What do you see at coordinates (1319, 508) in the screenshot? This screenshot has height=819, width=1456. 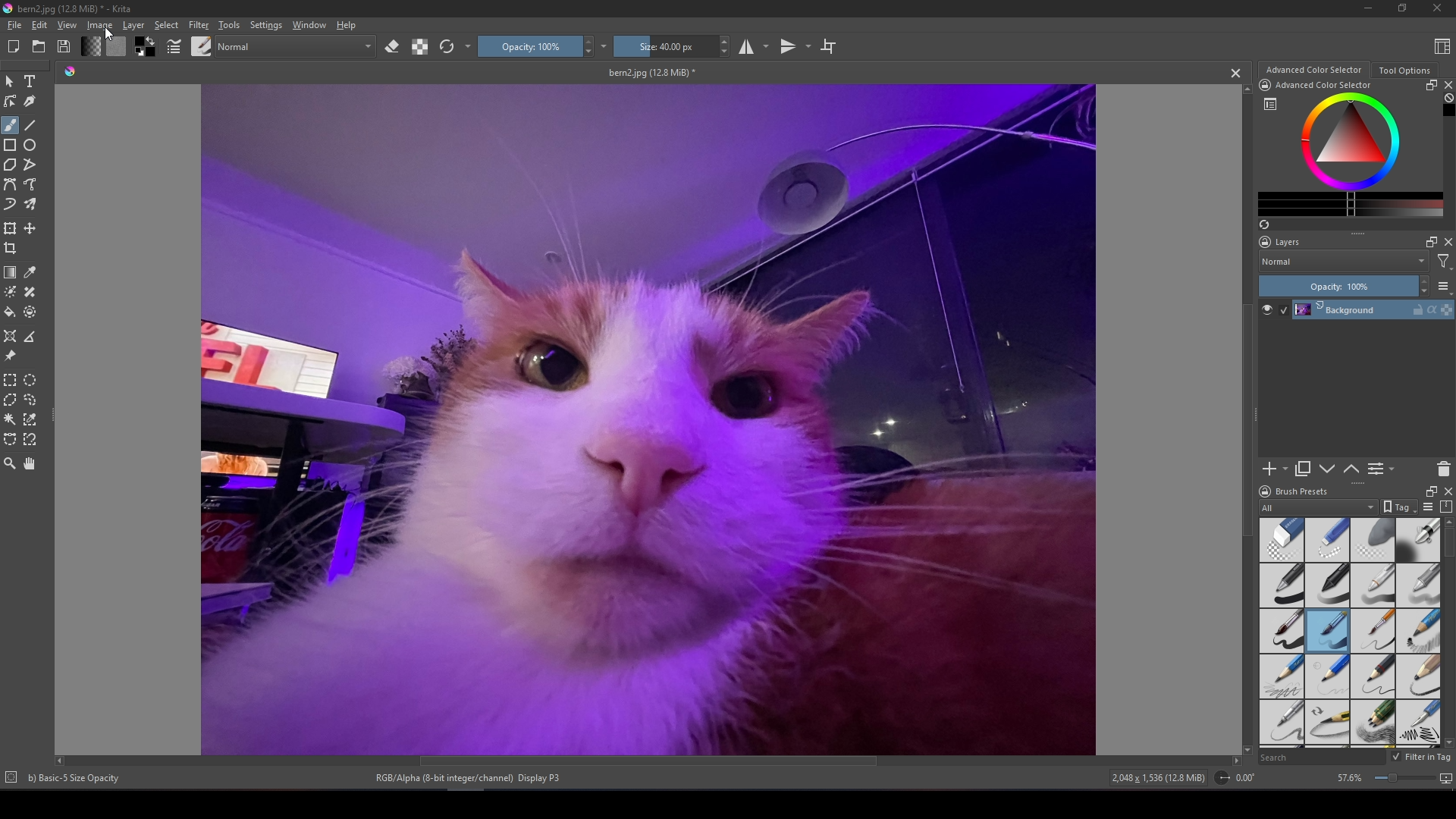 I see `Brush preset filter` at bounding box center [1319, 508].